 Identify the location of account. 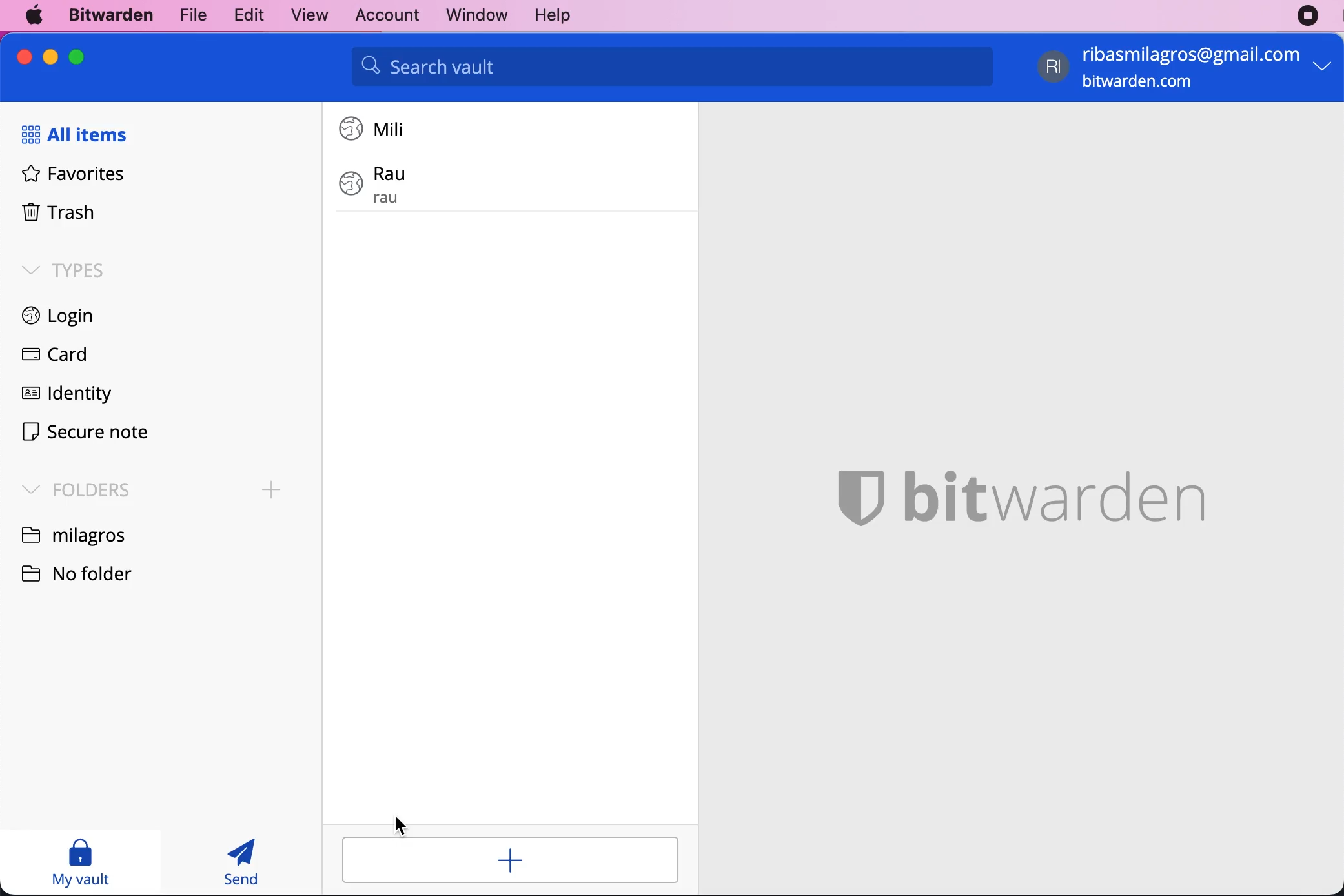
(382, 14).